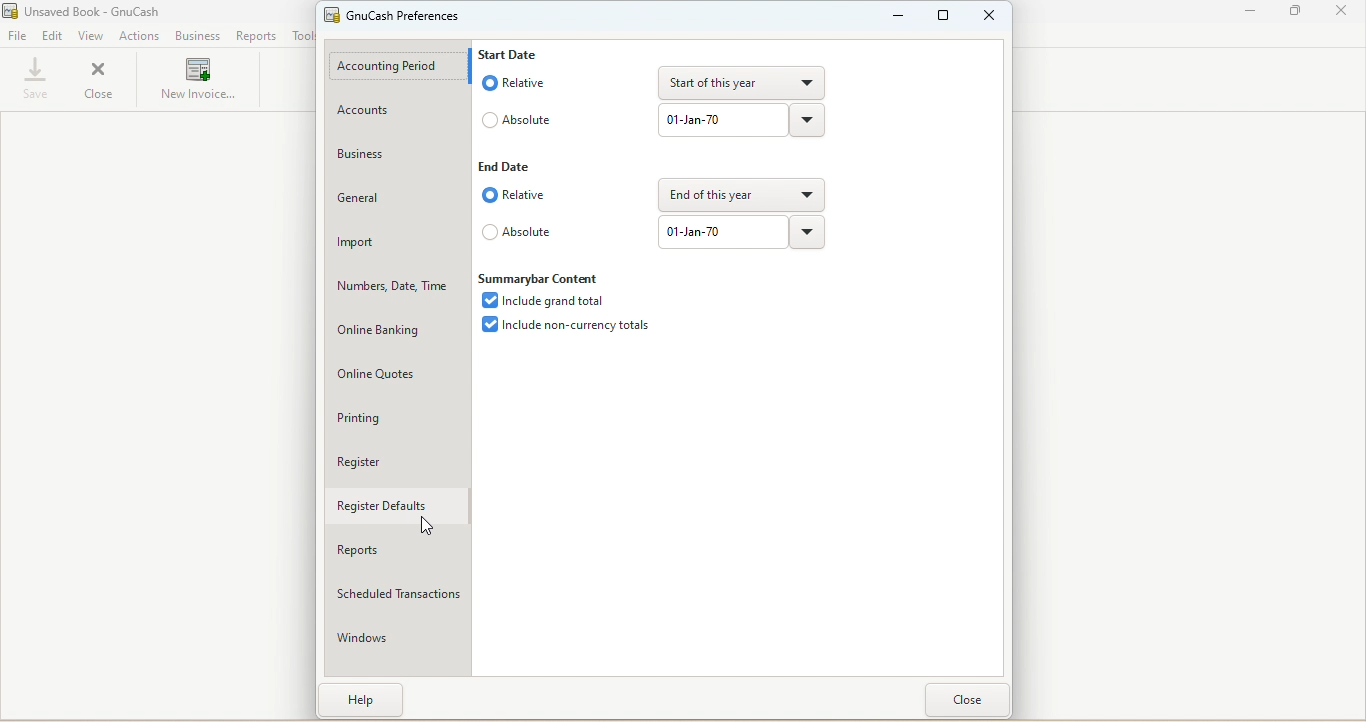 The image size is (1366, 722). What do you see at coordinates (969, 703) in the screenshot?
I see `Close` at bounding box center [969, 703].